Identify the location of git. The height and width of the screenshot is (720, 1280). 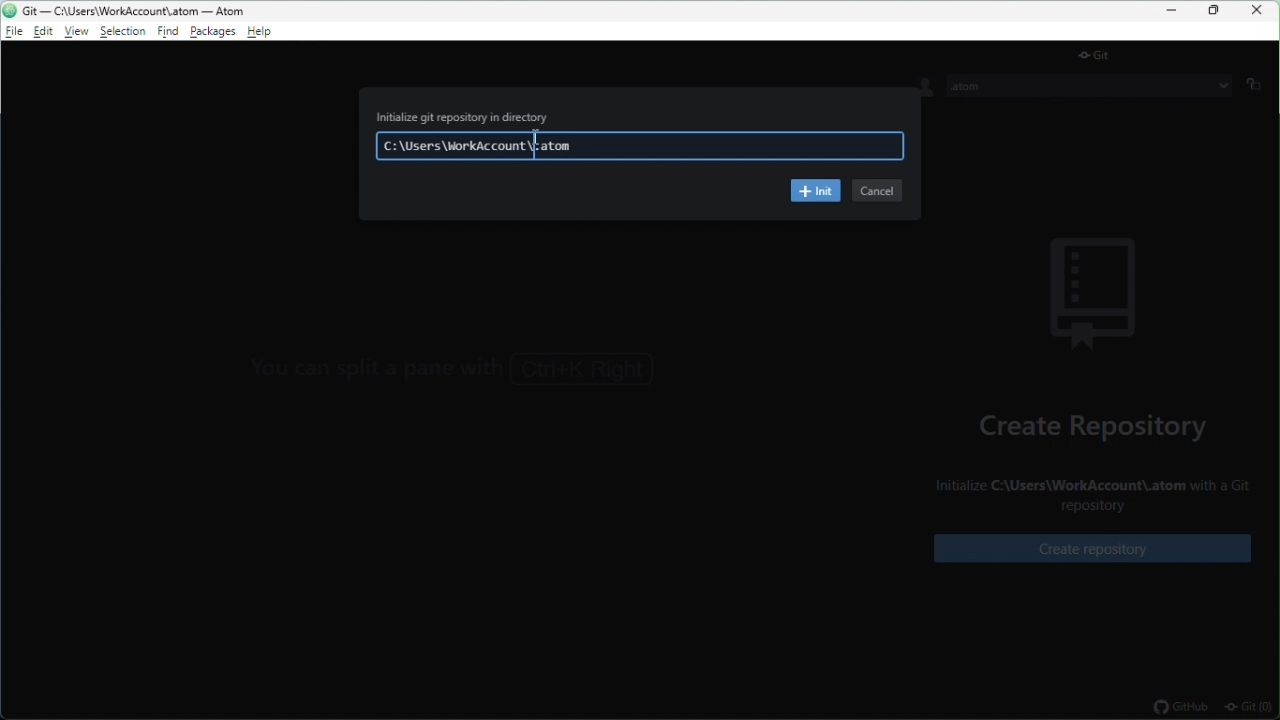
(1102, 53).